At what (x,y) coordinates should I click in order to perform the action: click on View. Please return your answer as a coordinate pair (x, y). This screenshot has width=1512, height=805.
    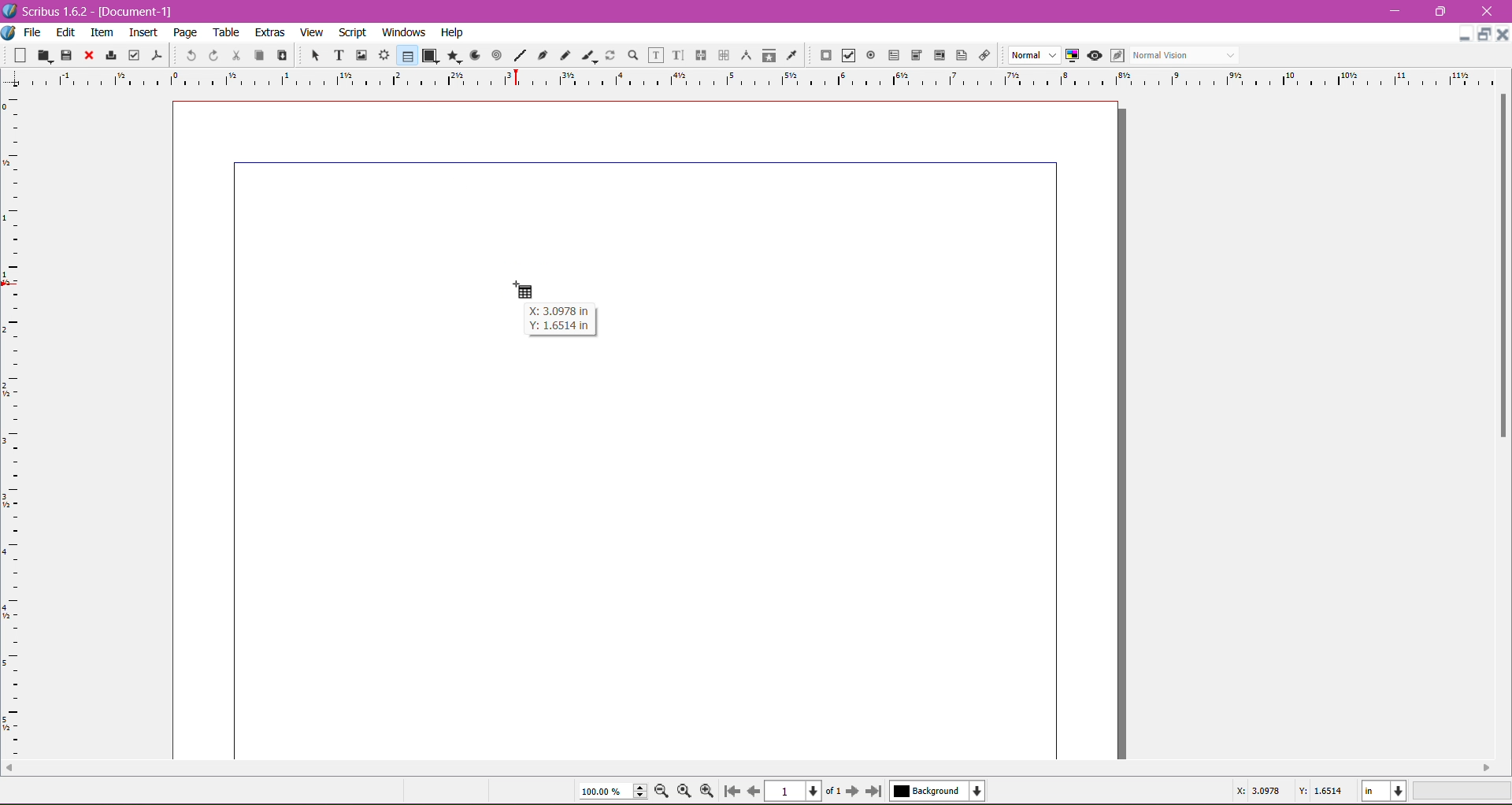
    Looking at the image, I should click on (312, 32).